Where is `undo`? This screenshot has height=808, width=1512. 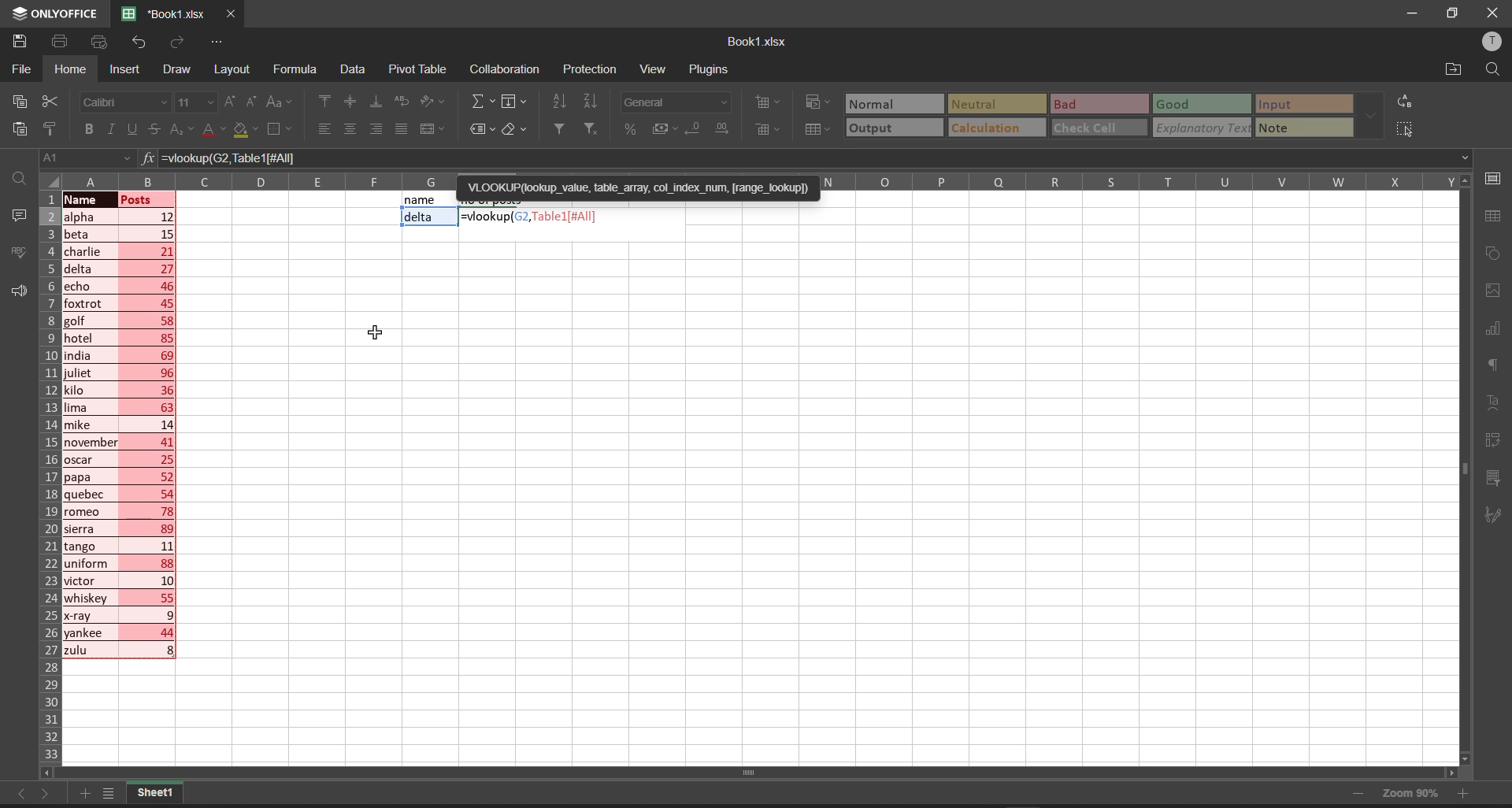 undo is located at coordinates (138, 45).